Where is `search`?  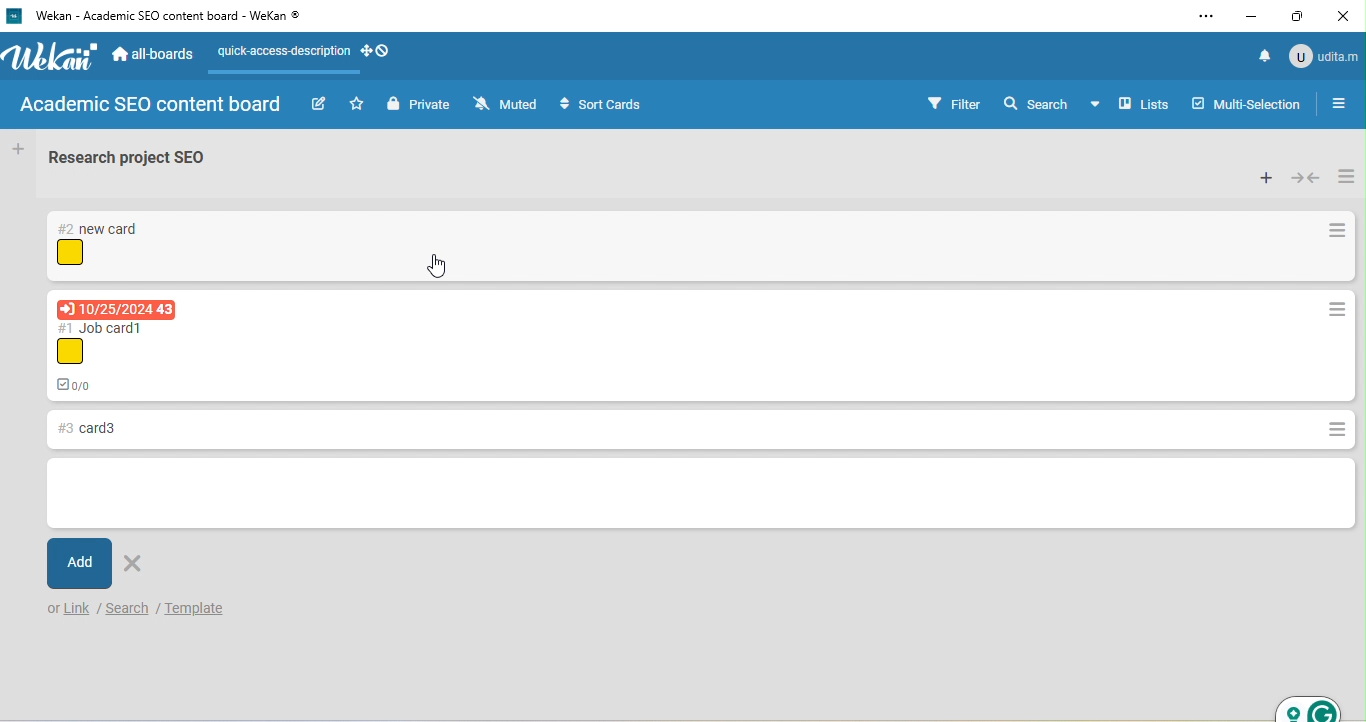 search is located at coordinates (1036, 102).